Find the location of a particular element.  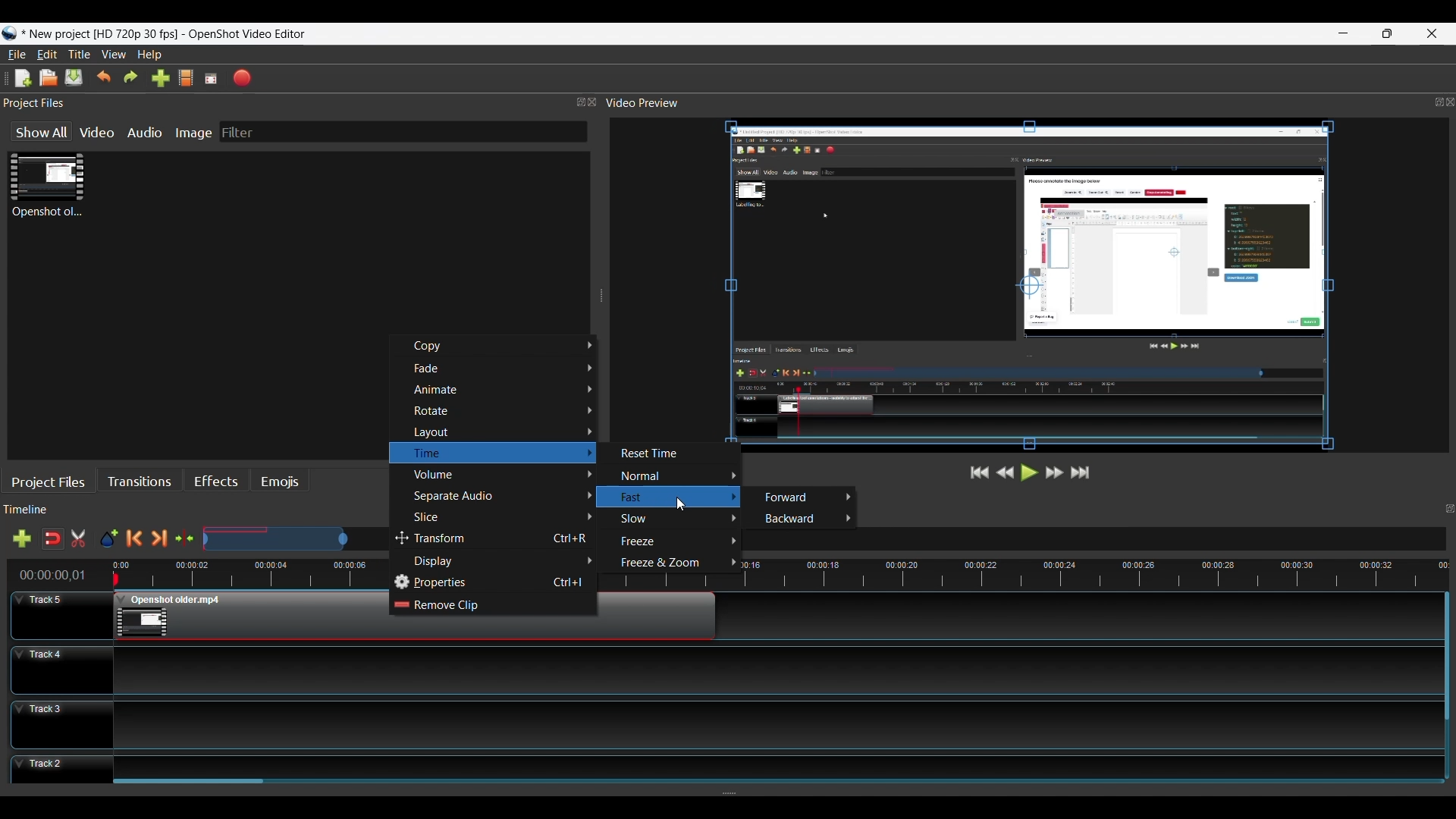

timeline is located at coordinates (1112, 572).